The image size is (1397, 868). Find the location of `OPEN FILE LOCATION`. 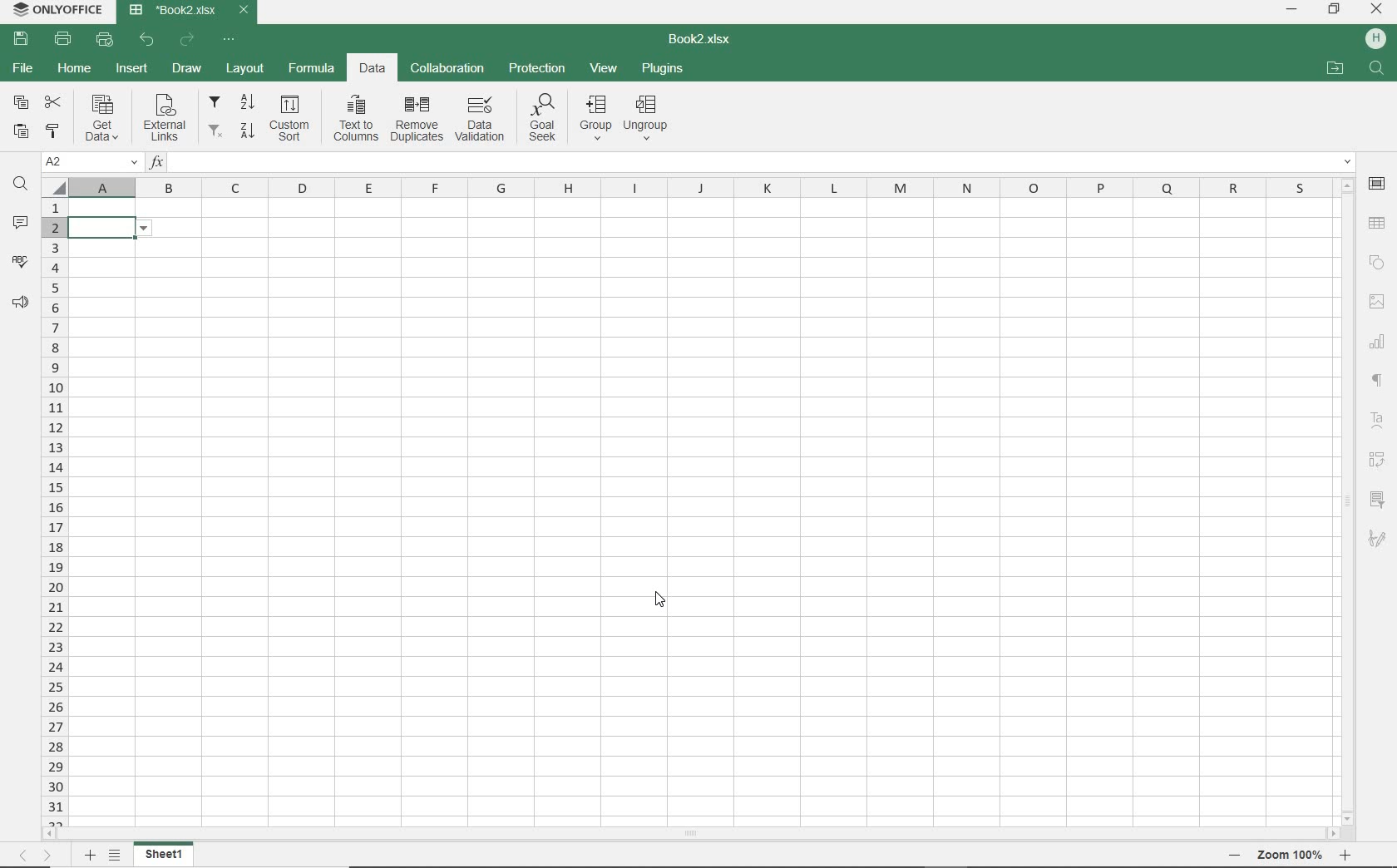

OPEN FILE LOCATION is located at coordinates (1337, 68).